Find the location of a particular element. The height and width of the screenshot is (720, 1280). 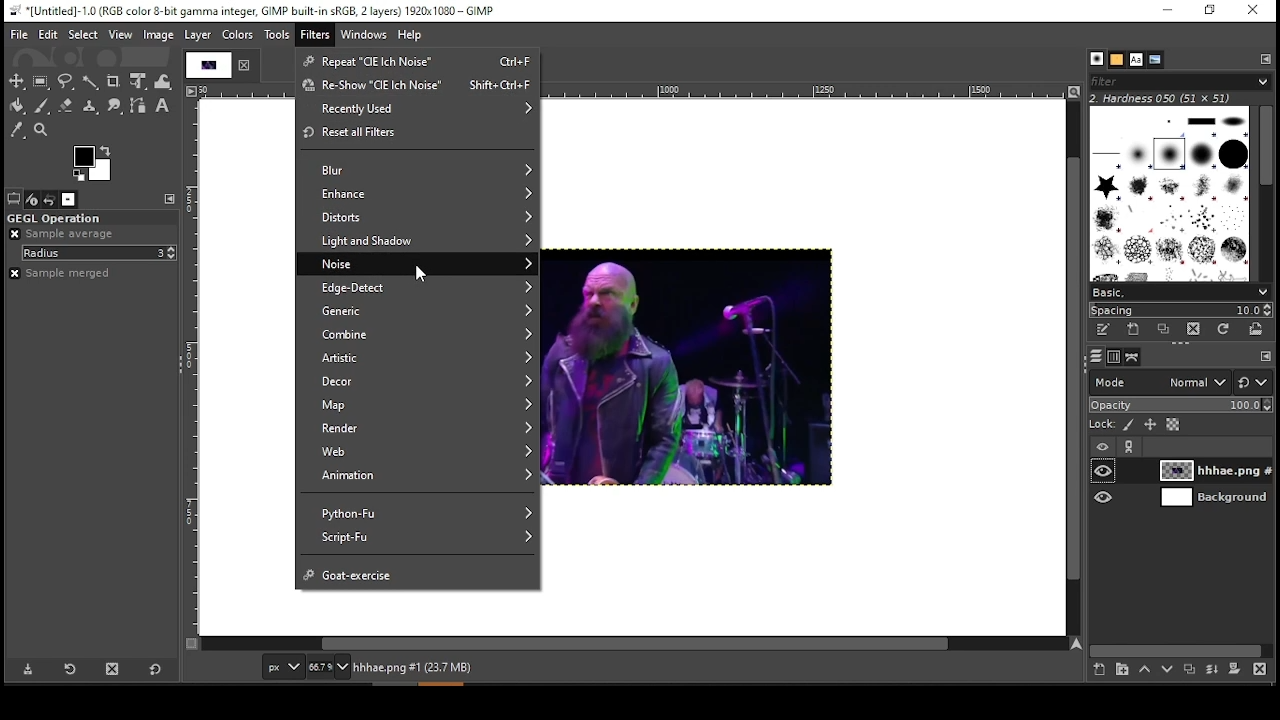

web is located at coordinates (421, 452).